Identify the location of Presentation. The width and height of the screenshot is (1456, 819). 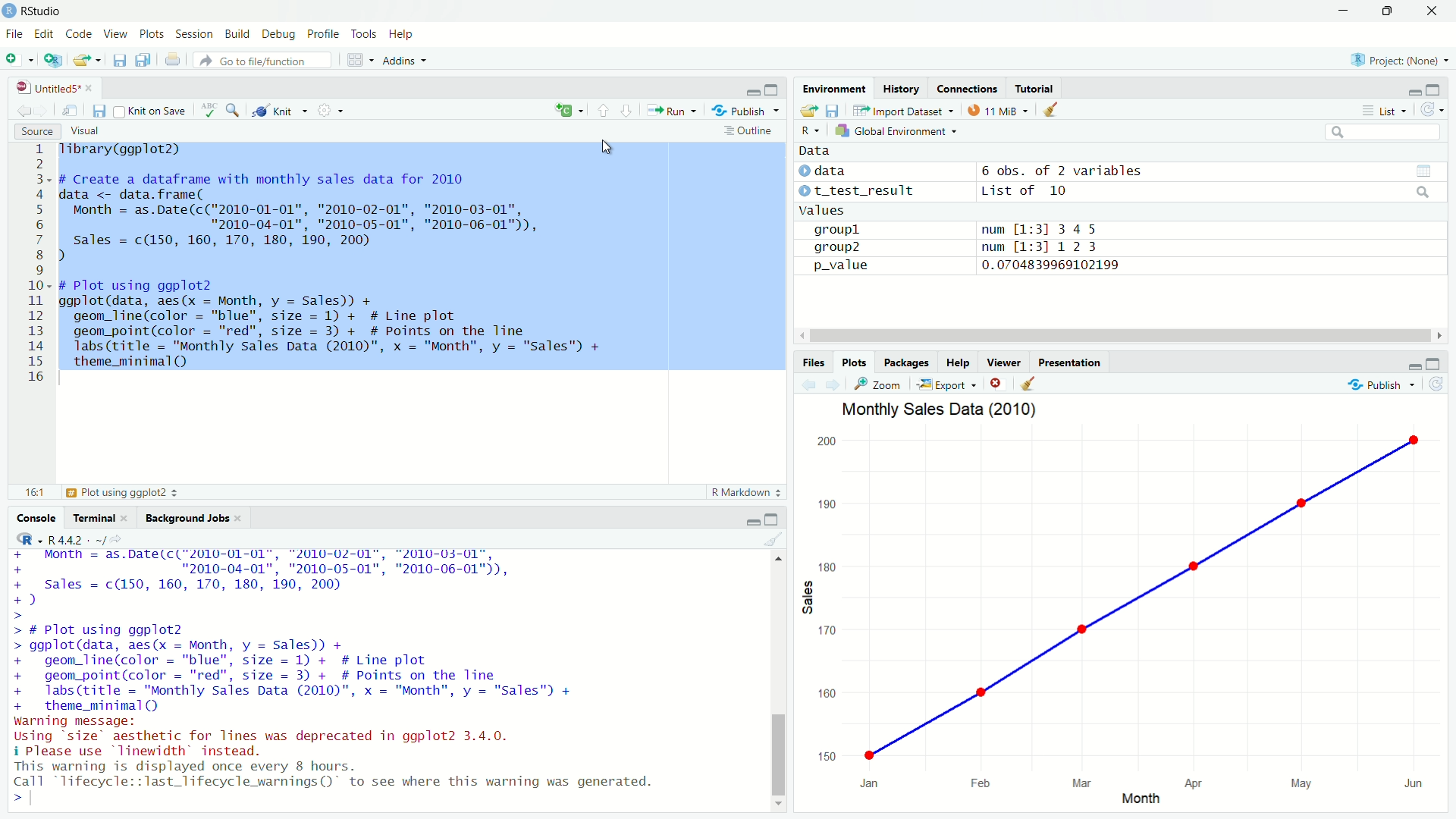
(1071, 361).